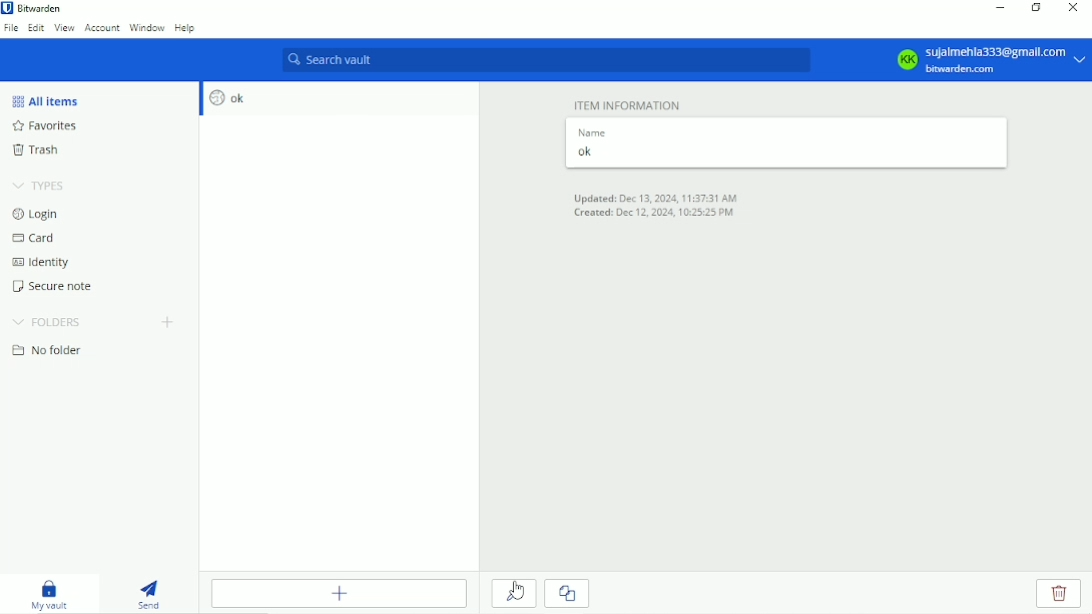  I want to click on ok, so click(779, 152).